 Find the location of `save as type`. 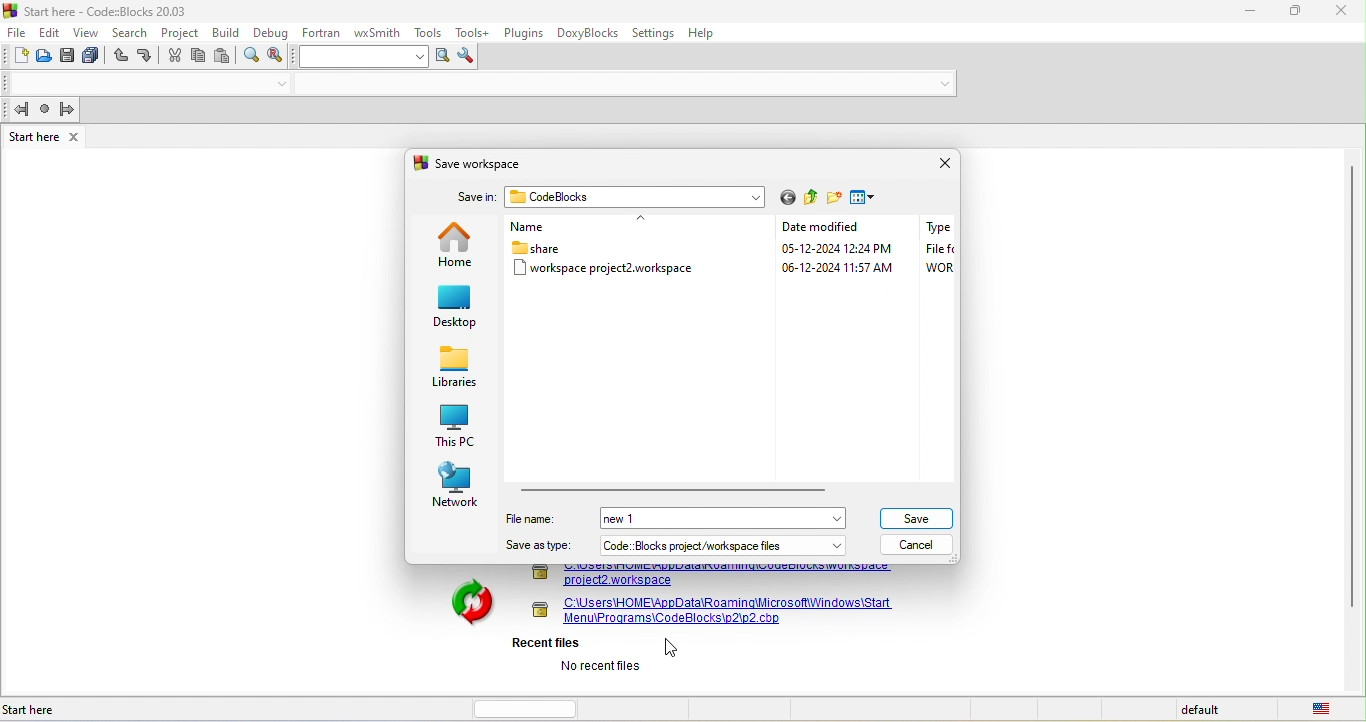

save as type is located at coordinates (539, 546).